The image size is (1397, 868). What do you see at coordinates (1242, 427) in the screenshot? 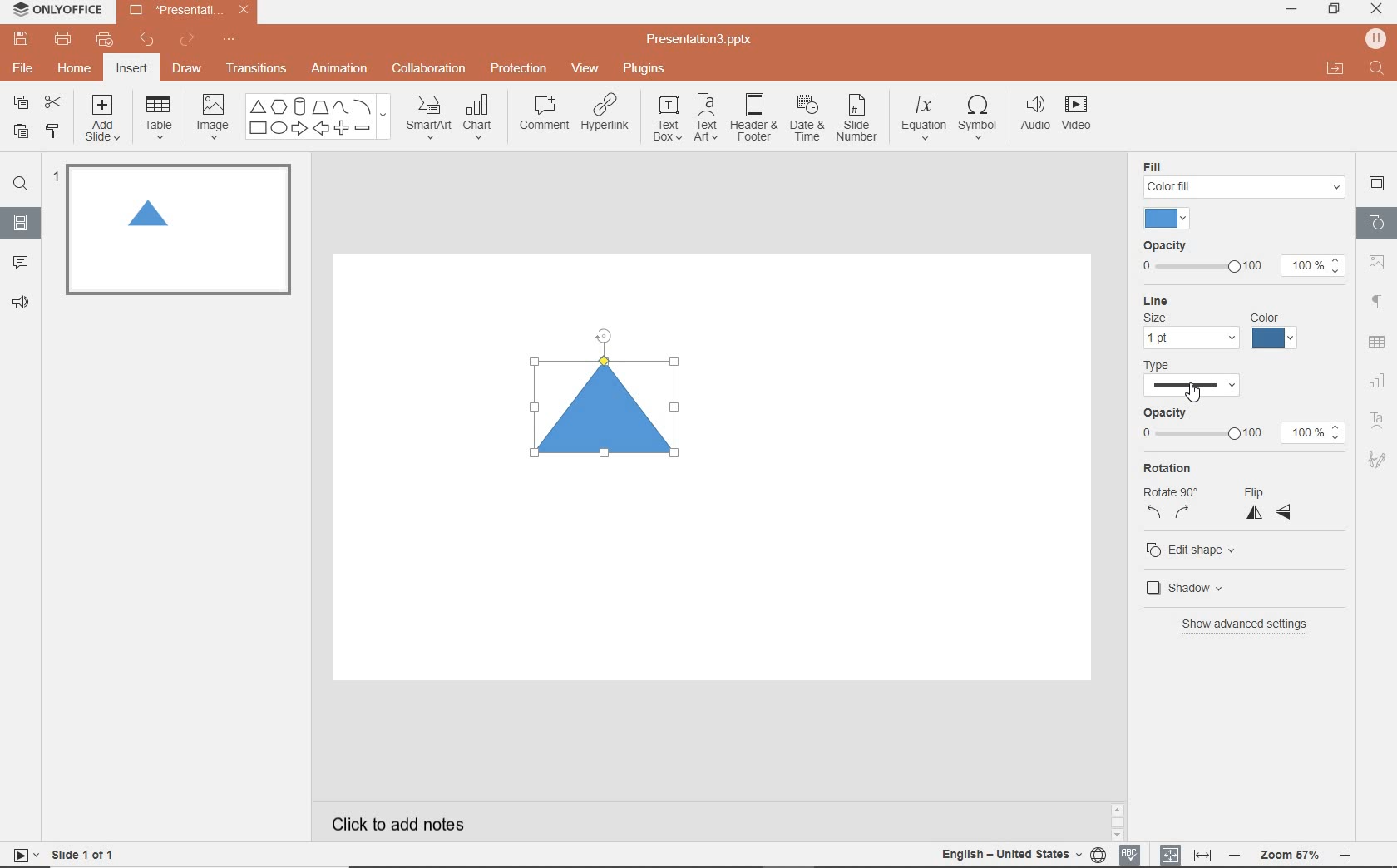
I see `opacity` at bounding box center [1242, 427].